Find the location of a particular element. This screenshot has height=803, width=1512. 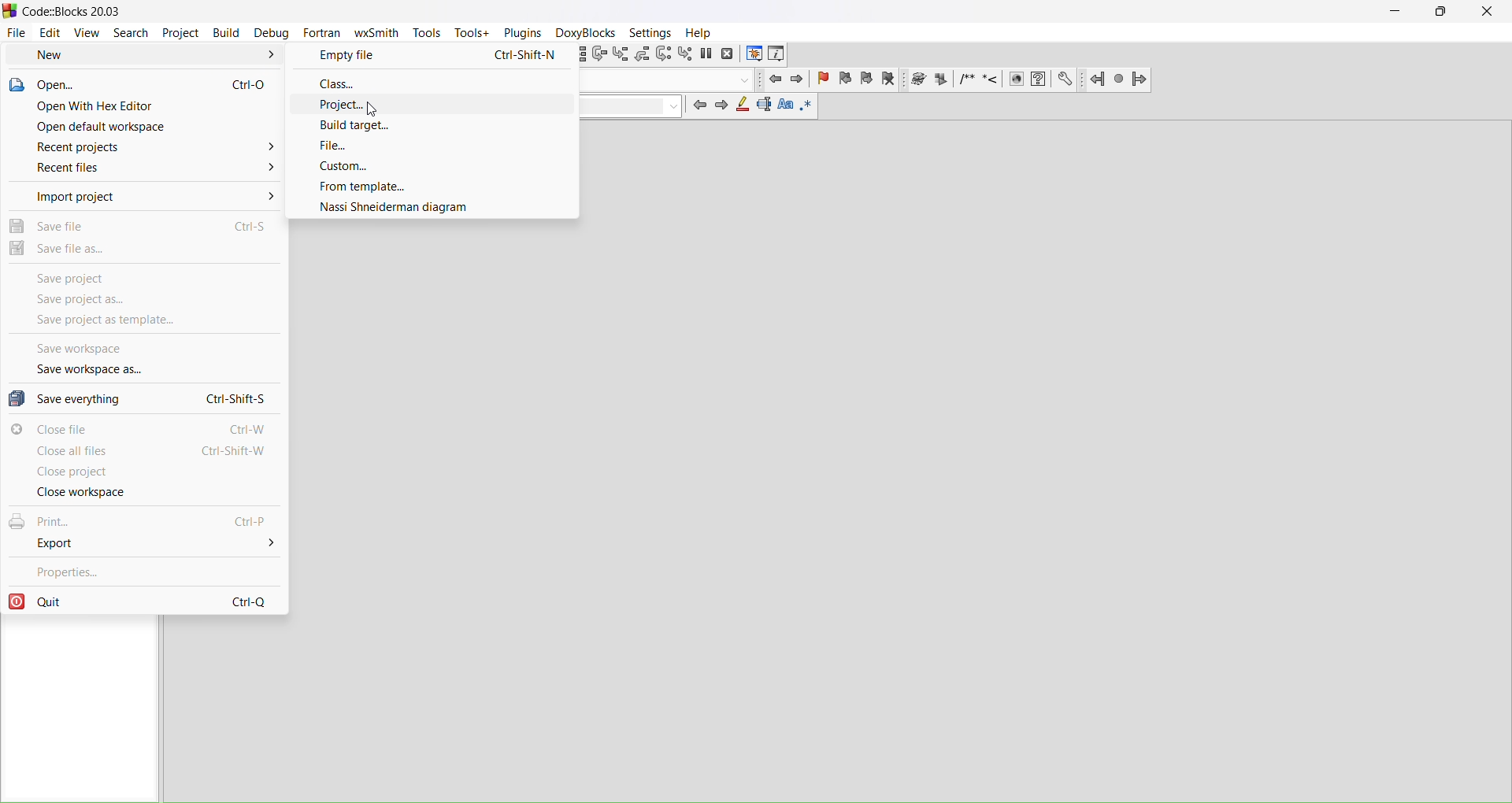

use regex is located at coordinates (806, 109).